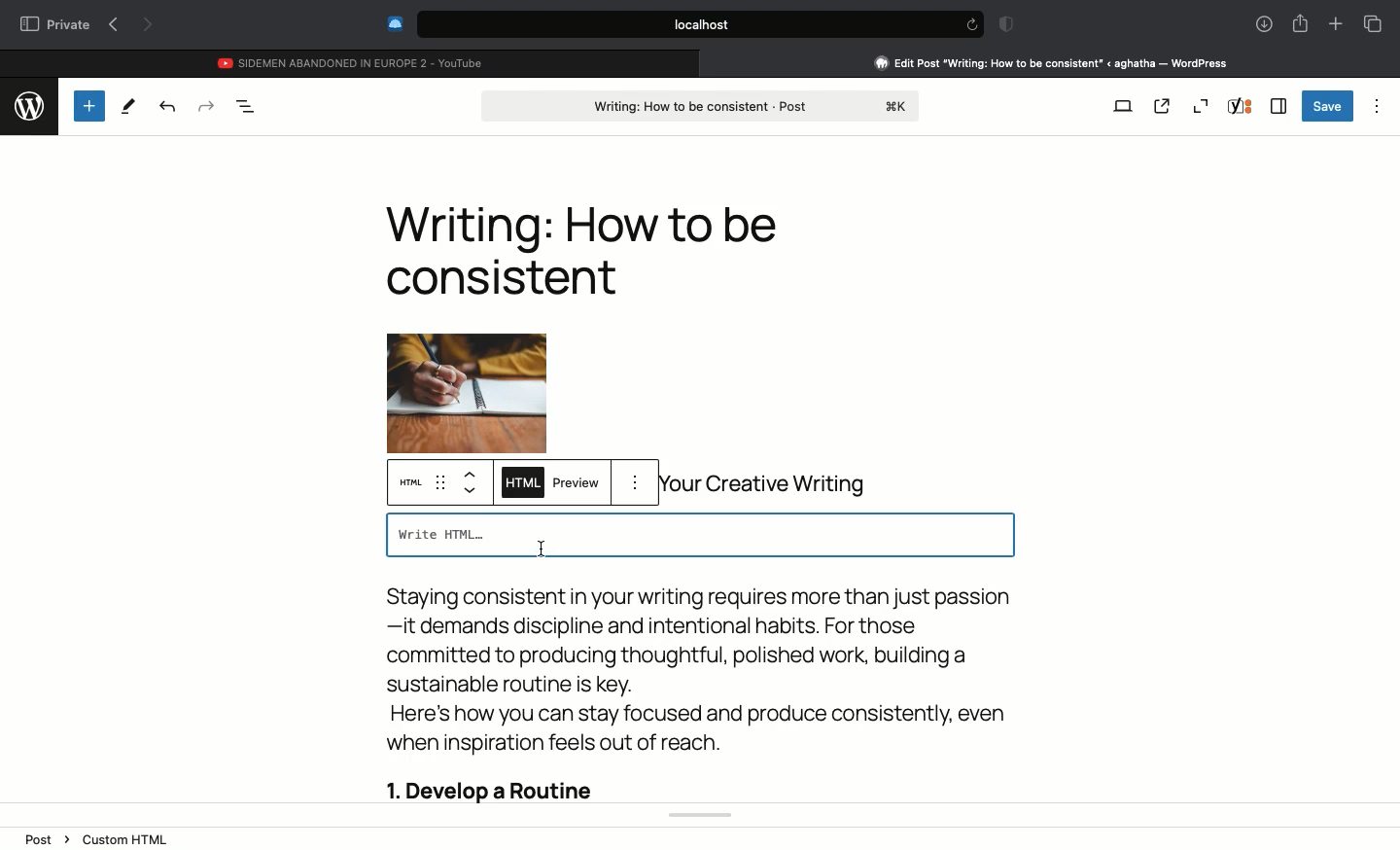  What do you see at coordinates (1379, 103) in the screenshot?
I see `Options` at bounding box center [1379, 103].